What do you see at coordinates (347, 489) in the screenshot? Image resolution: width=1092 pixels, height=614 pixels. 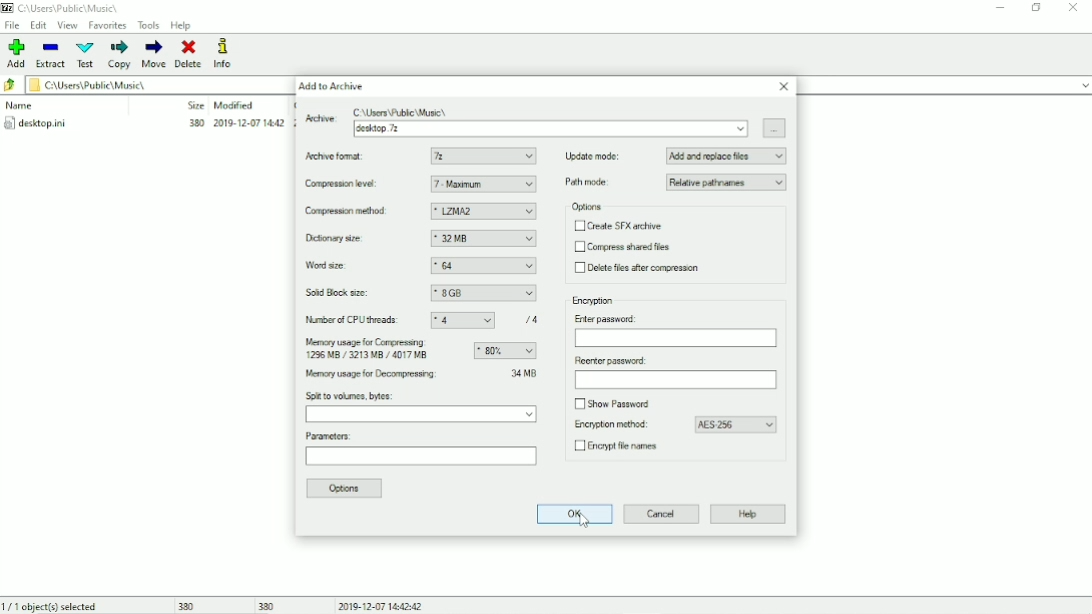 I see `Options` at bounding box center [347, 489].